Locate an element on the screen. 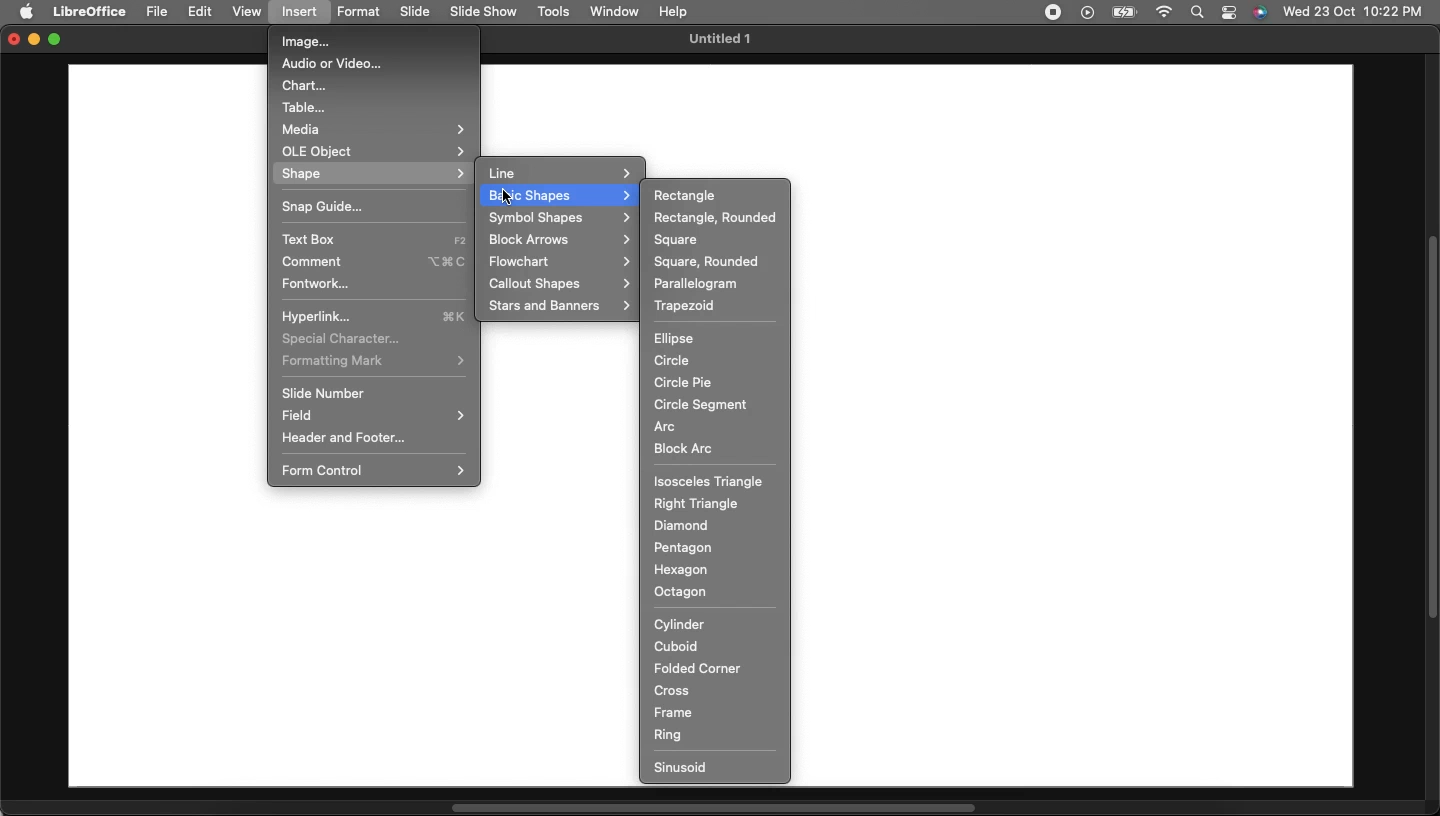  Pentagon is located at coordinates (682, 548).